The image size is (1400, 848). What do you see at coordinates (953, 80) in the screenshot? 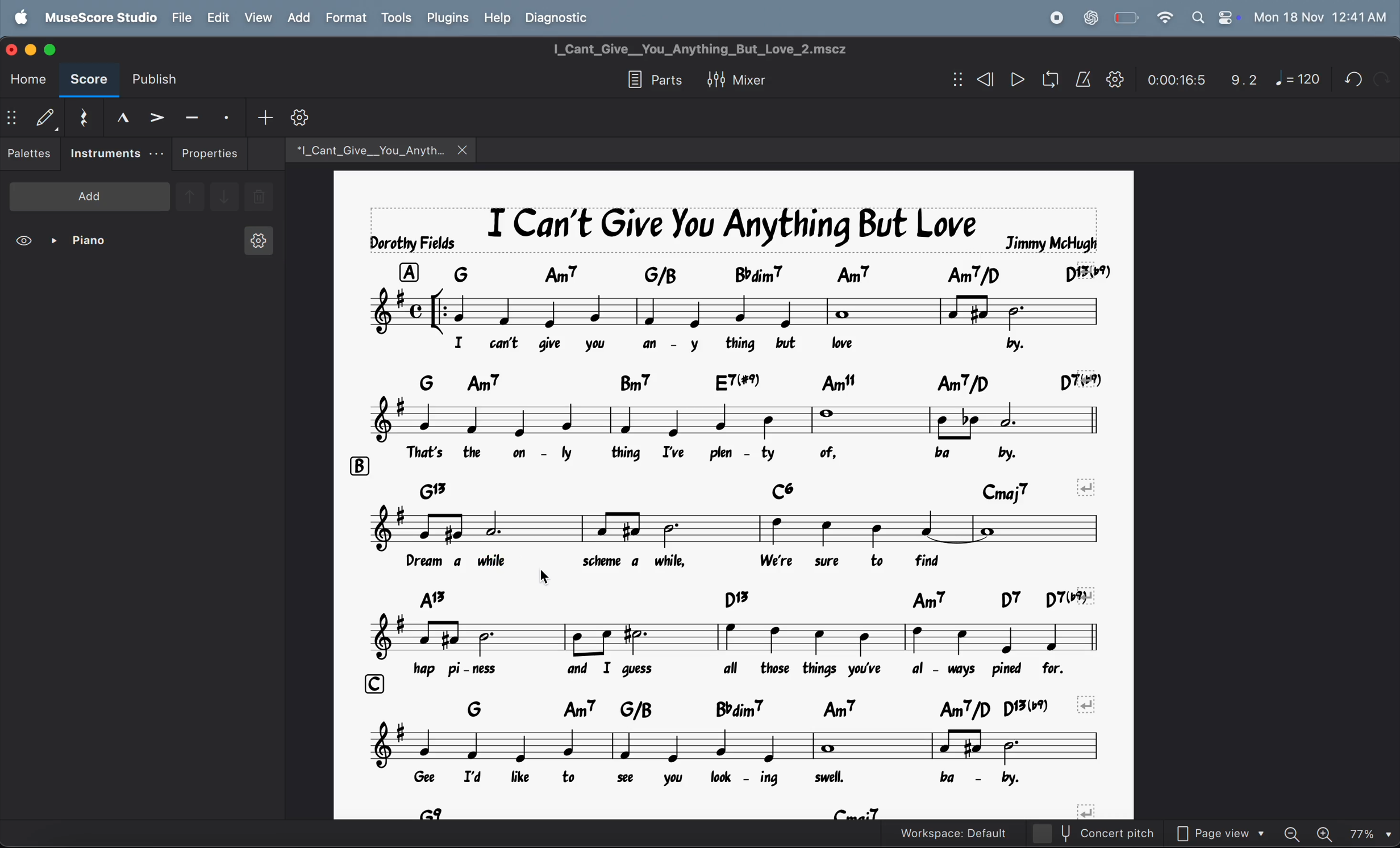
I see `show/hide` at bounding box center [953, 80].